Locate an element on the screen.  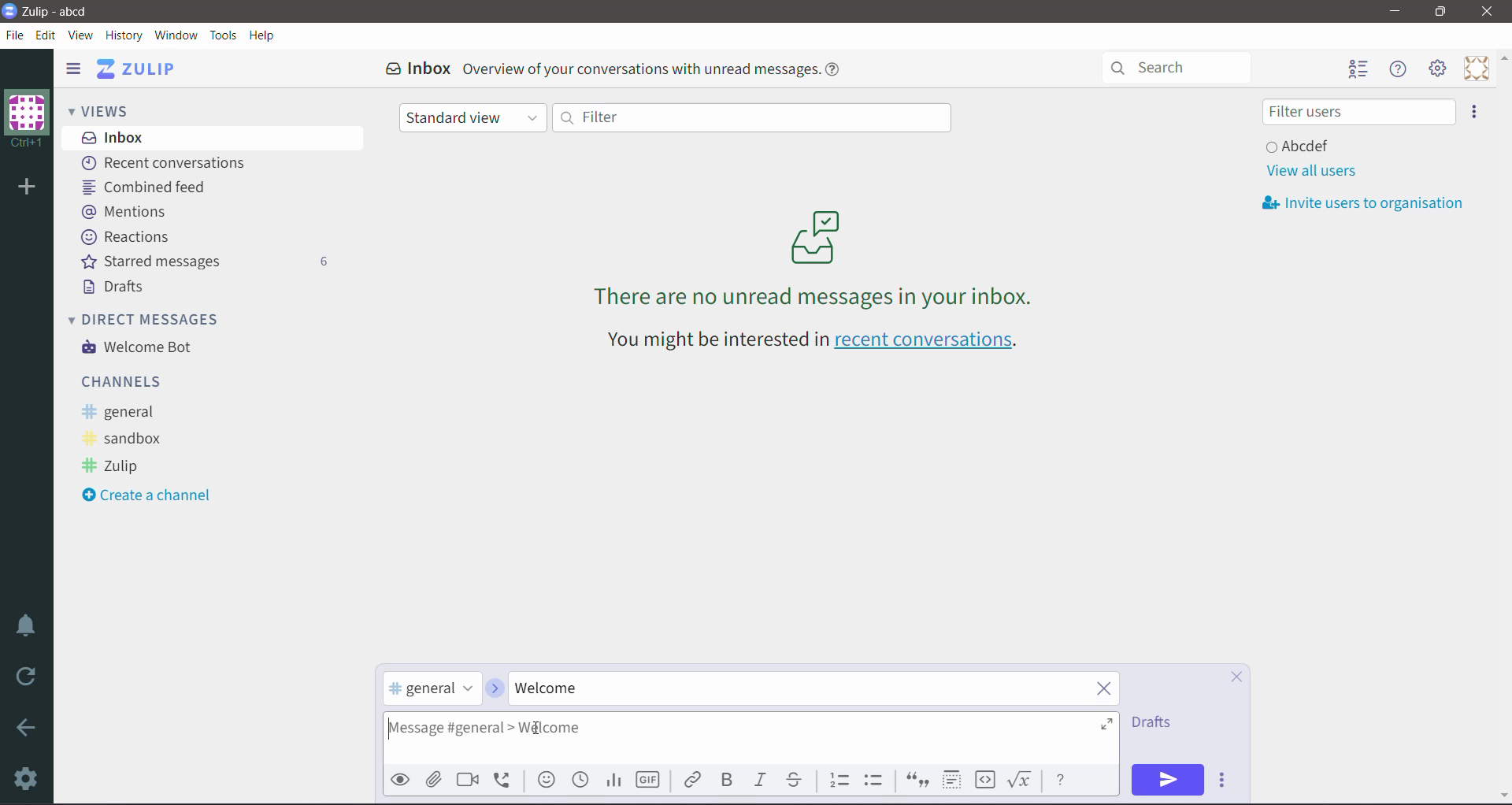
Filter users is located at coordinates (1358, 112).